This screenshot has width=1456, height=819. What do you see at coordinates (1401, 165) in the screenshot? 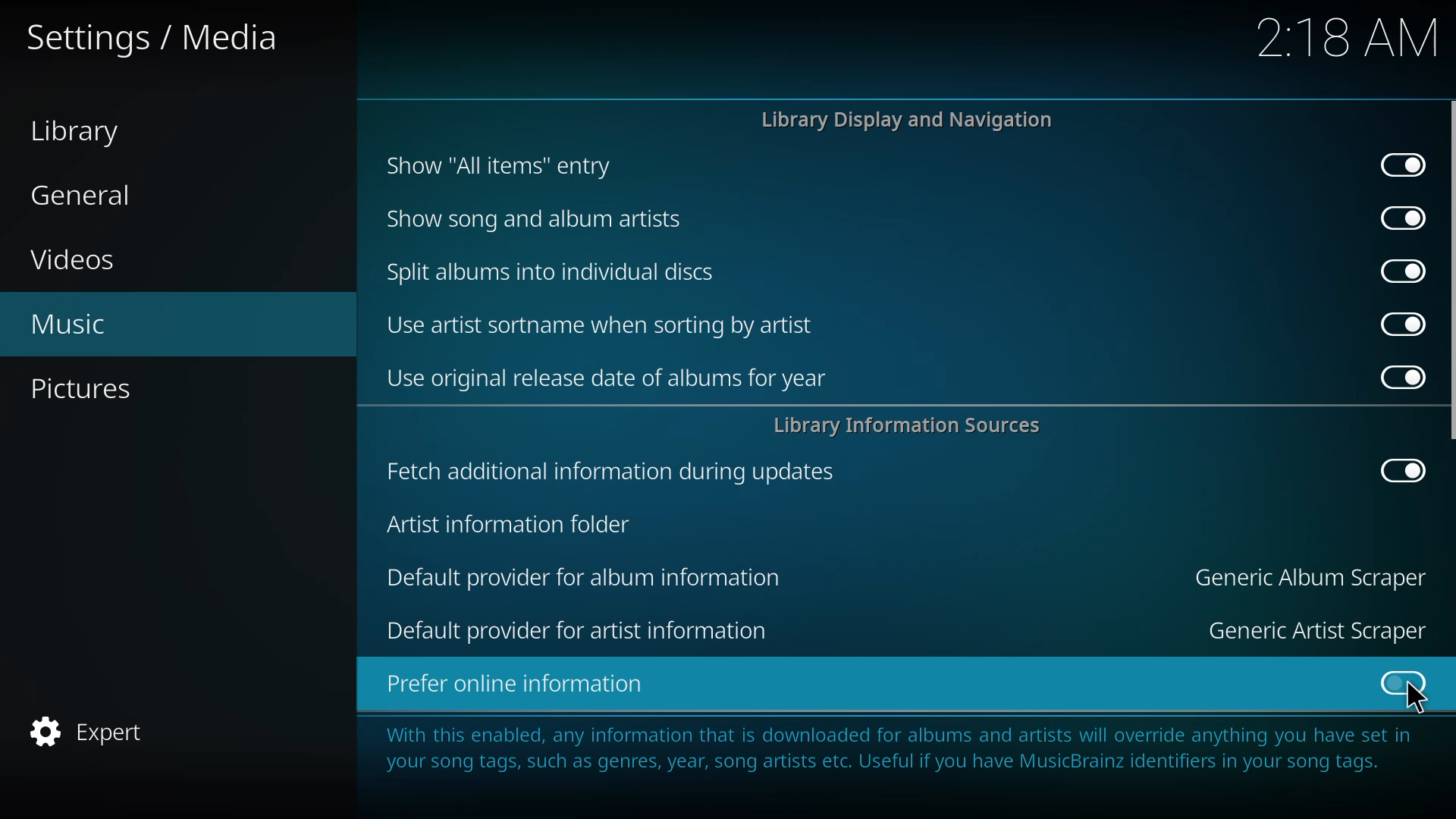
I see `enabled` at bounding box center [1401, 165].